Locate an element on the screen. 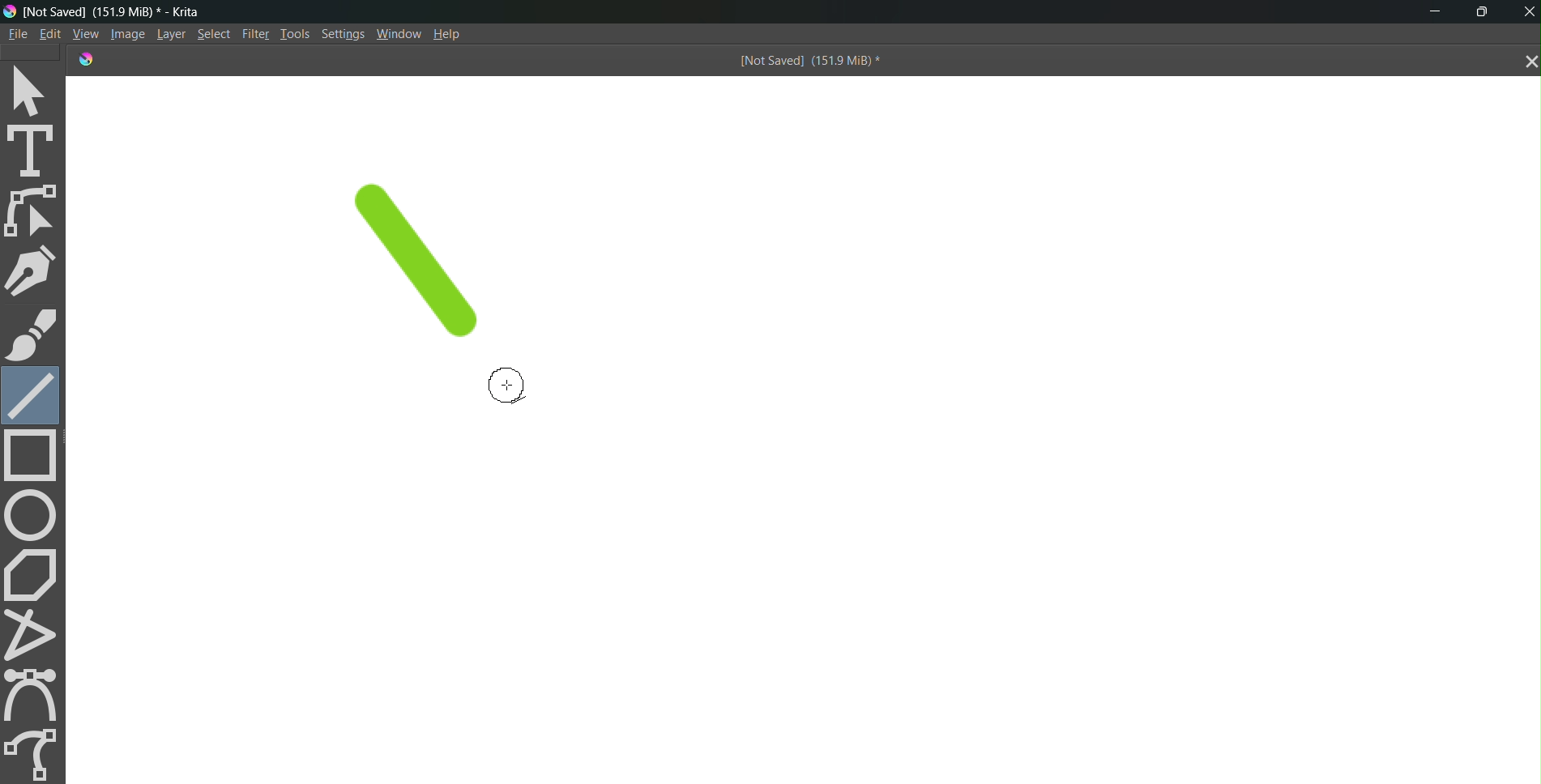 This screenshot has width=1541, height=784. Window is located at coordinates (399, 34).